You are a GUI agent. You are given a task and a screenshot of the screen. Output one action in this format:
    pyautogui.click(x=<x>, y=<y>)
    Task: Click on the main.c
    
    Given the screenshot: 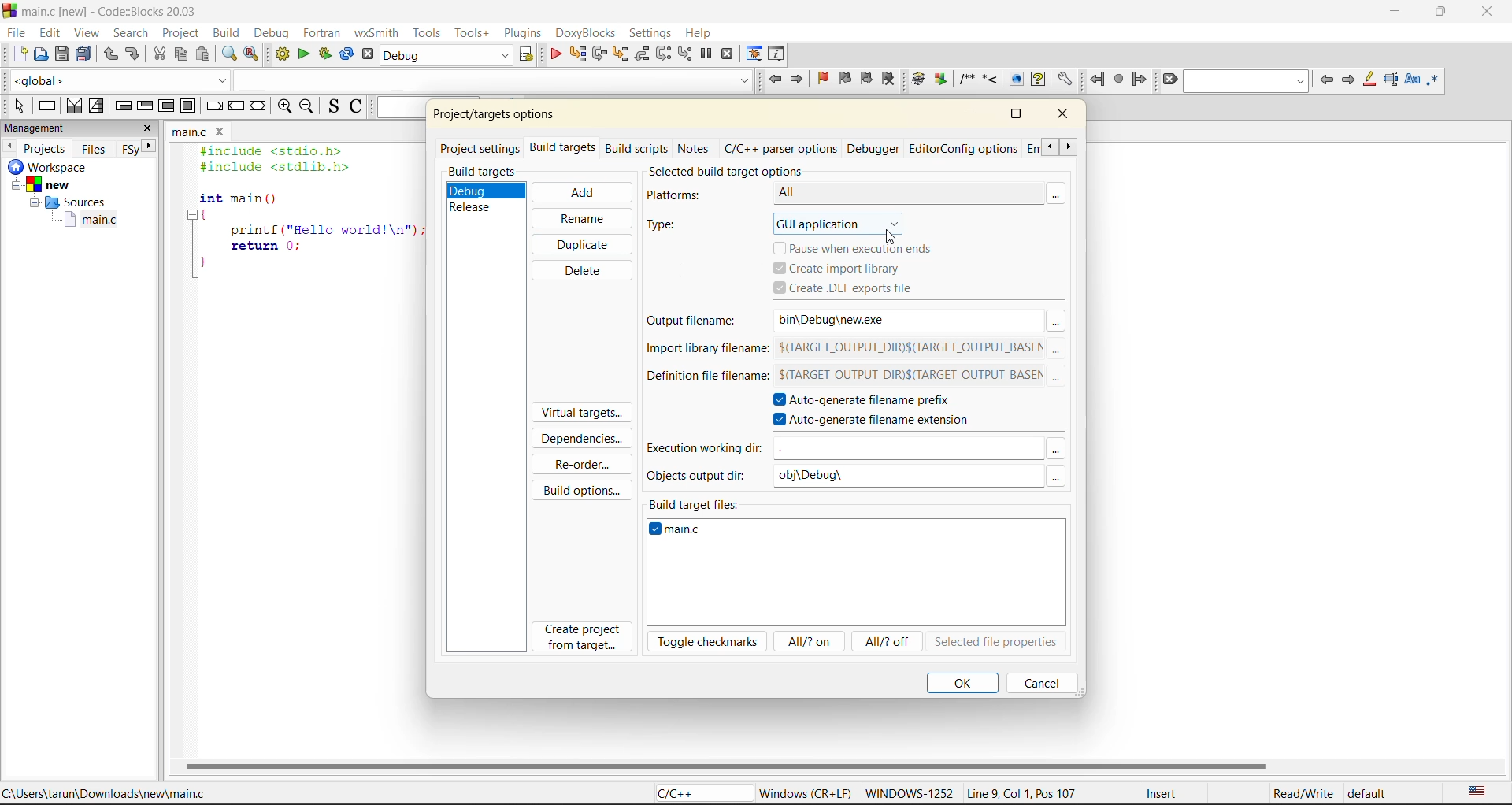 What is the action you would take?
    pyautogui.click(x=189, y=133)
    